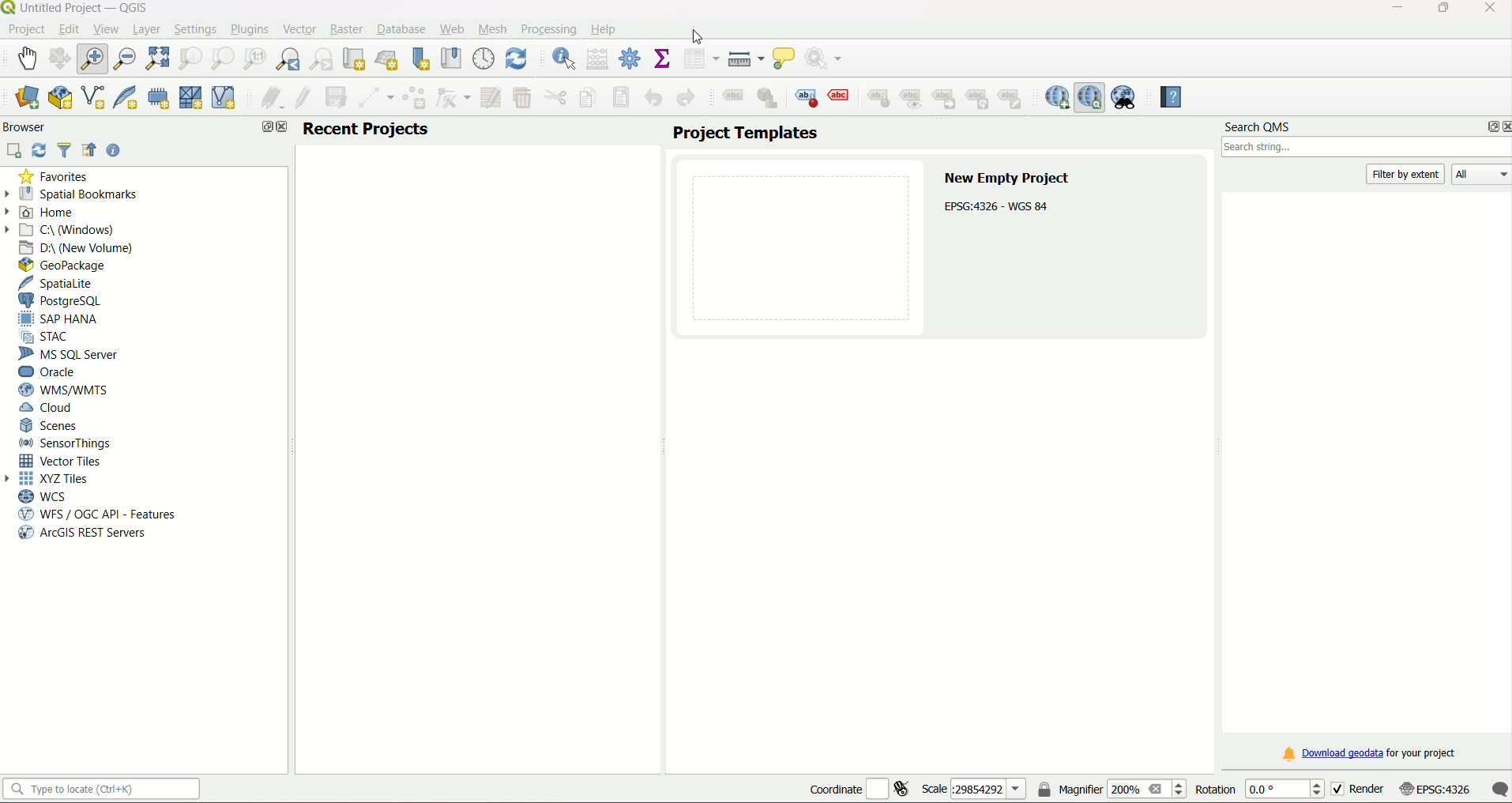  Describe the element at coordinates (1258, 790) in the screenshot. I see `rotation` at that location.